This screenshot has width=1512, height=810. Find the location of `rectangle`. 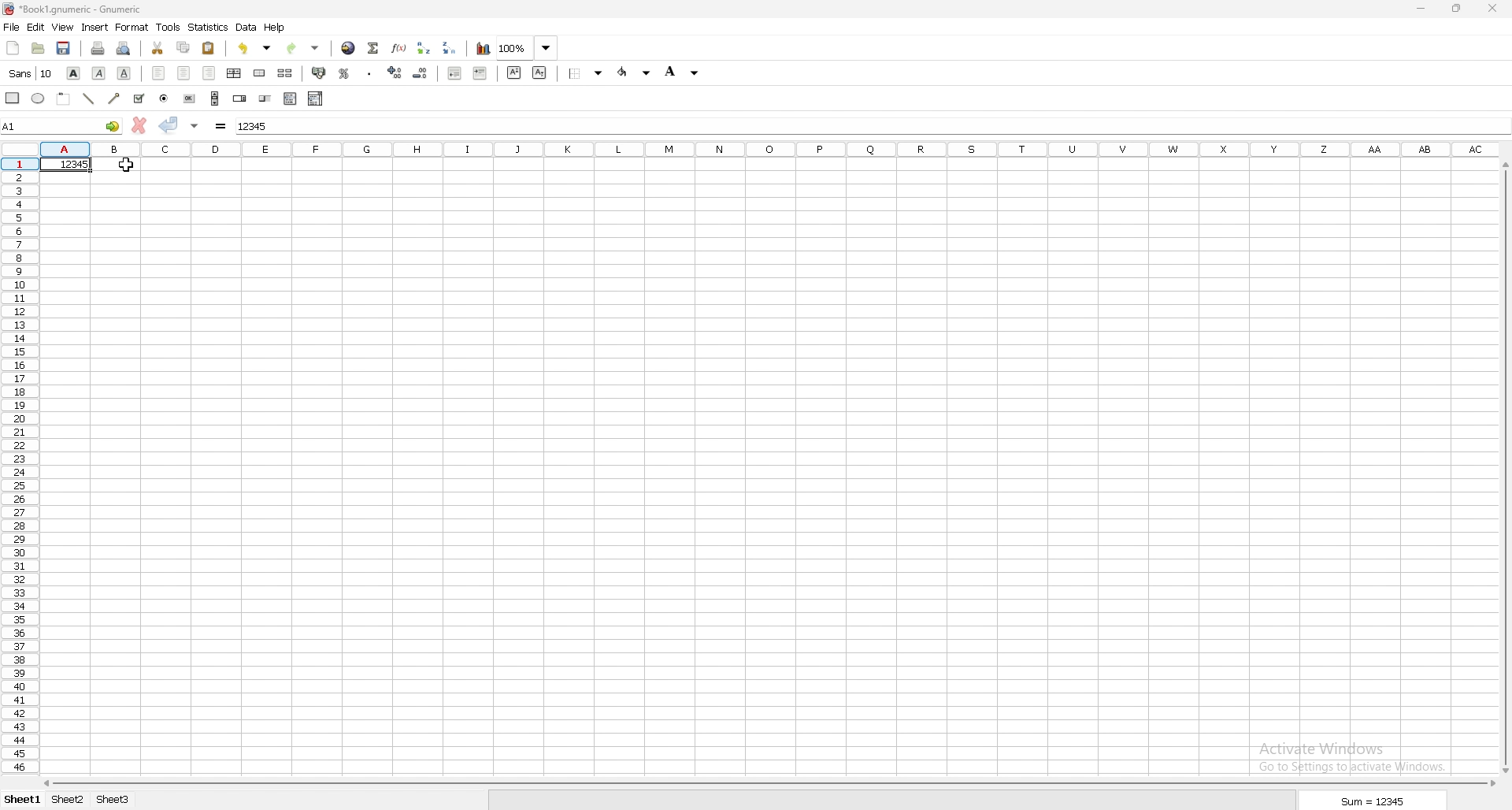

rectangle is located at coordinates (13, 98).